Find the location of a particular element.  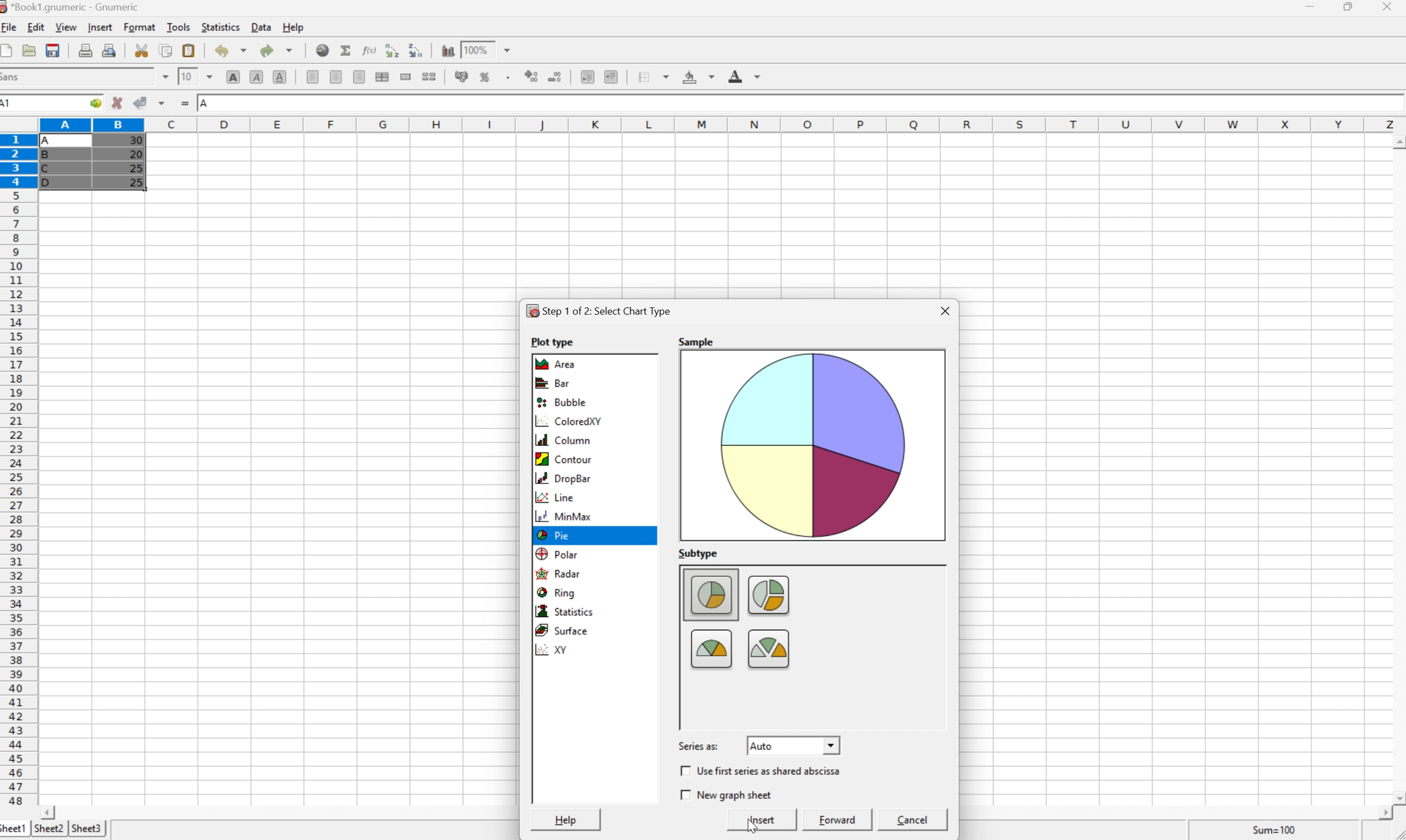

Tools is located at coordinates (178, 27).